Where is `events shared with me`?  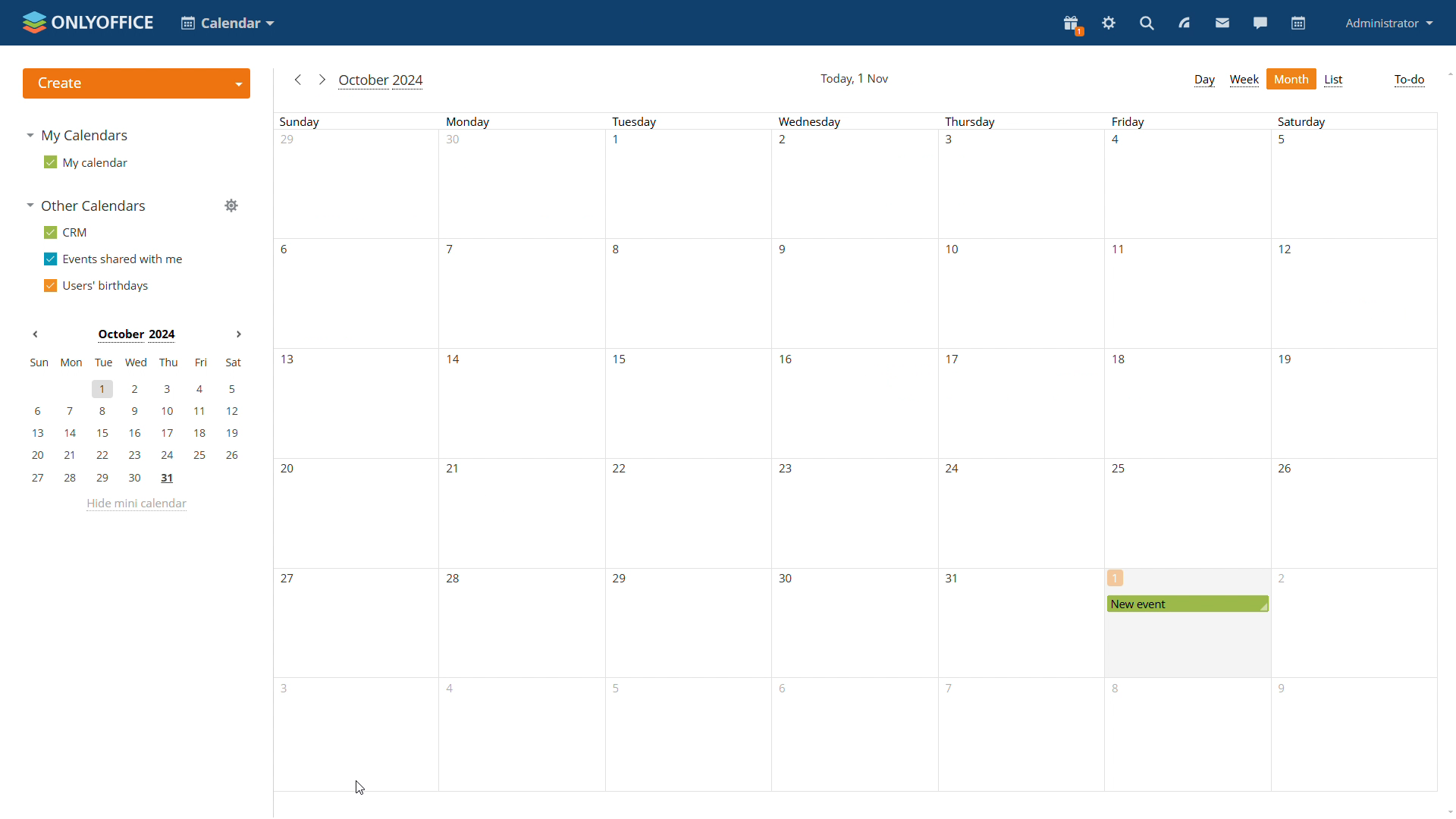 events shared with me is located at coordinates (116, 260).